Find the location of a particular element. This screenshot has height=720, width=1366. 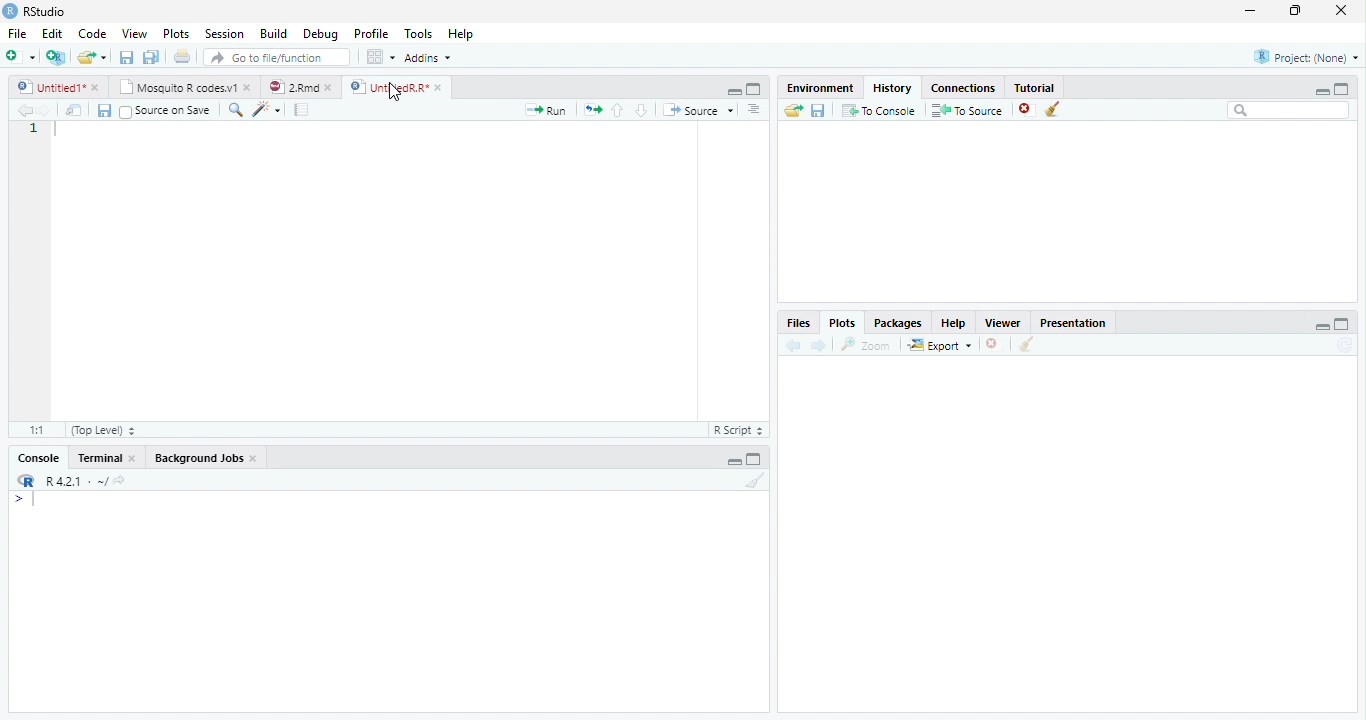

Go to file/function is located at coordinates (277, 56).